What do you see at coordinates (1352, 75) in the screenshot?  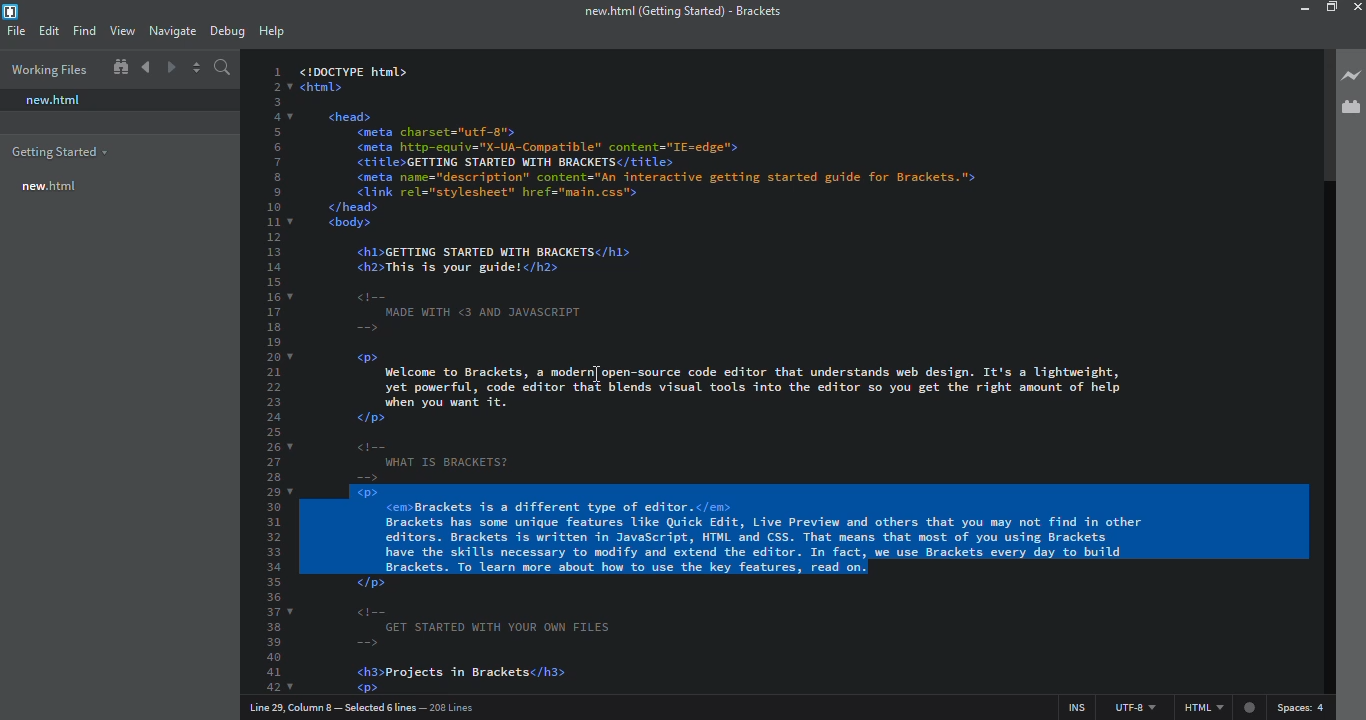 I see `live preview` at bounding box center [1352, 75].